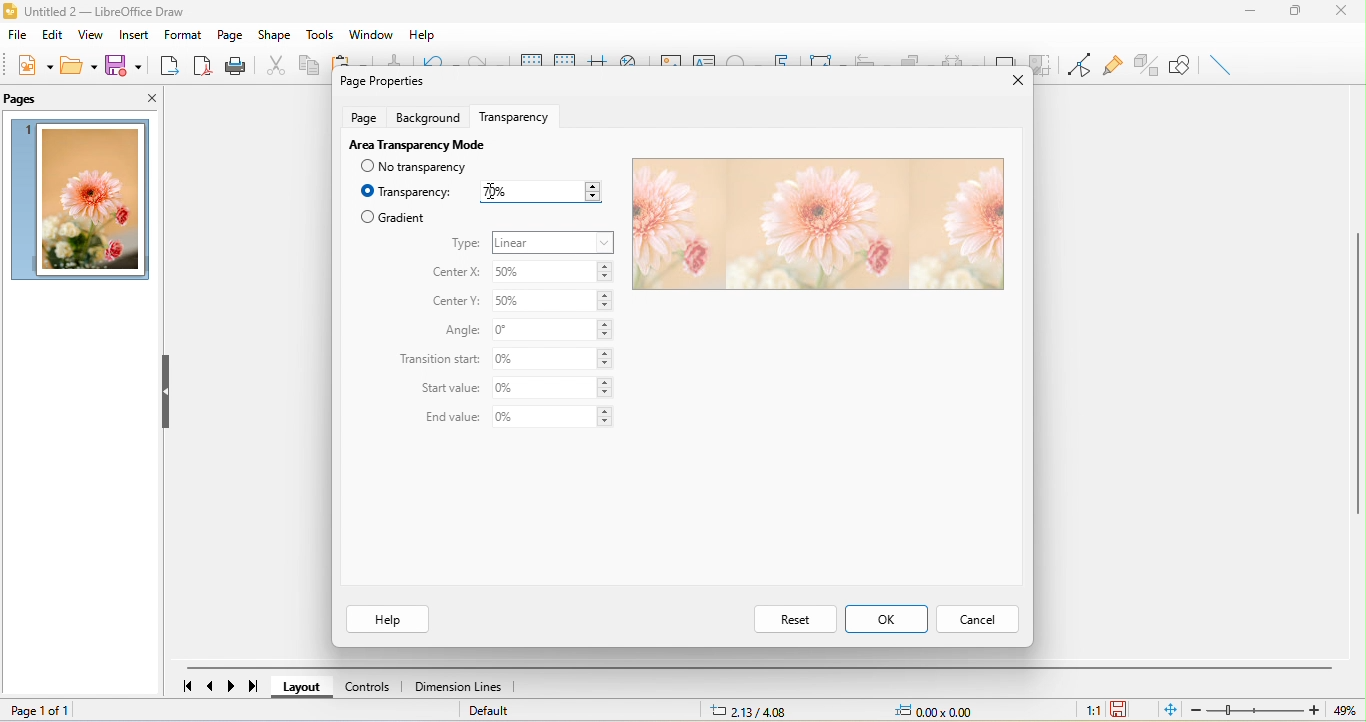 The height and width of the screenshot is (722, 1366). Describe the element at coordinates (79, 712) in the screenshot. I see `page 1 of 1` at that location.